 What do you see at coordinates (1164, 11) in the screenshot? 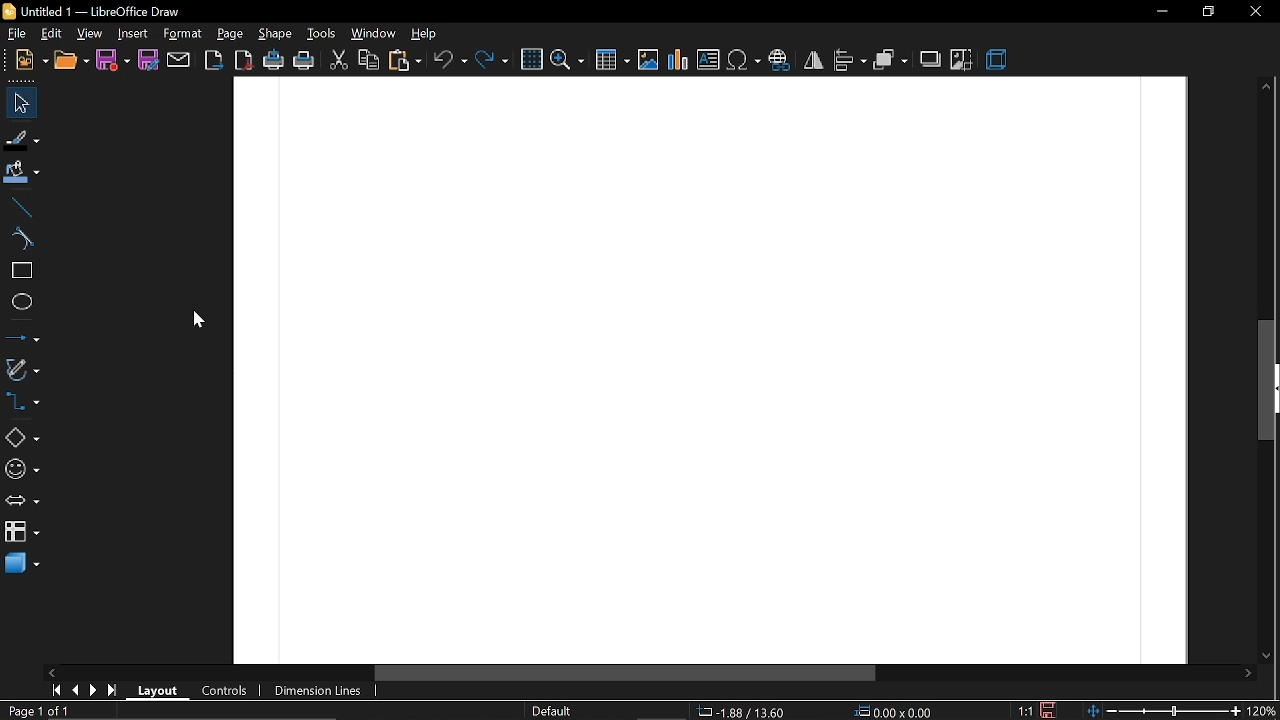
I see `minimize` at bounding box center [1164, 11].